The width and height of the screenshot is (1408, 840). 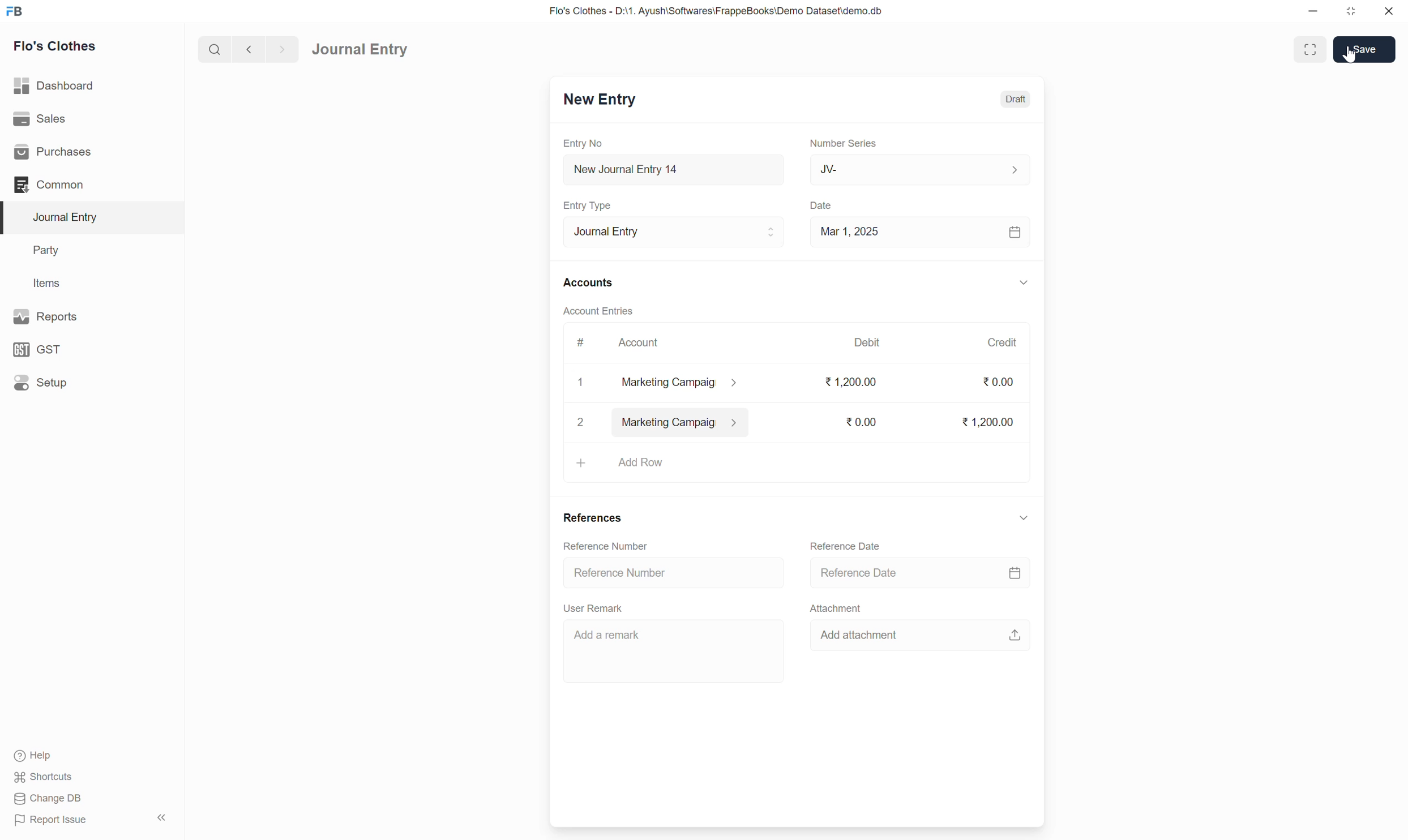 What do you see at coordinates (70, 217) in the screenshot?
I see `Journal Entry` at bounding box center [70, 217].